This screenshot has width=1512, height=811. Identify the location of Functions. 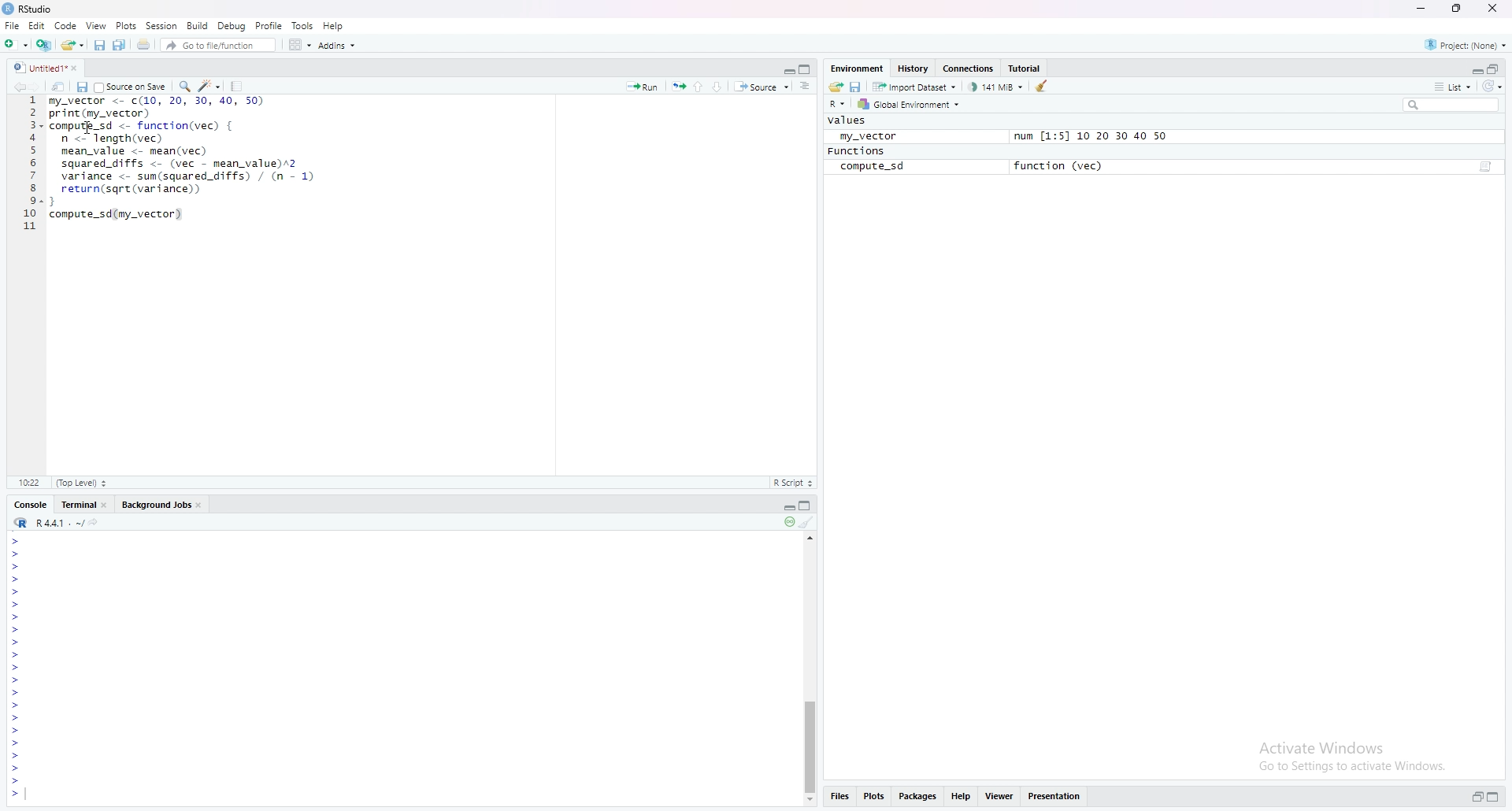
(856, 151).